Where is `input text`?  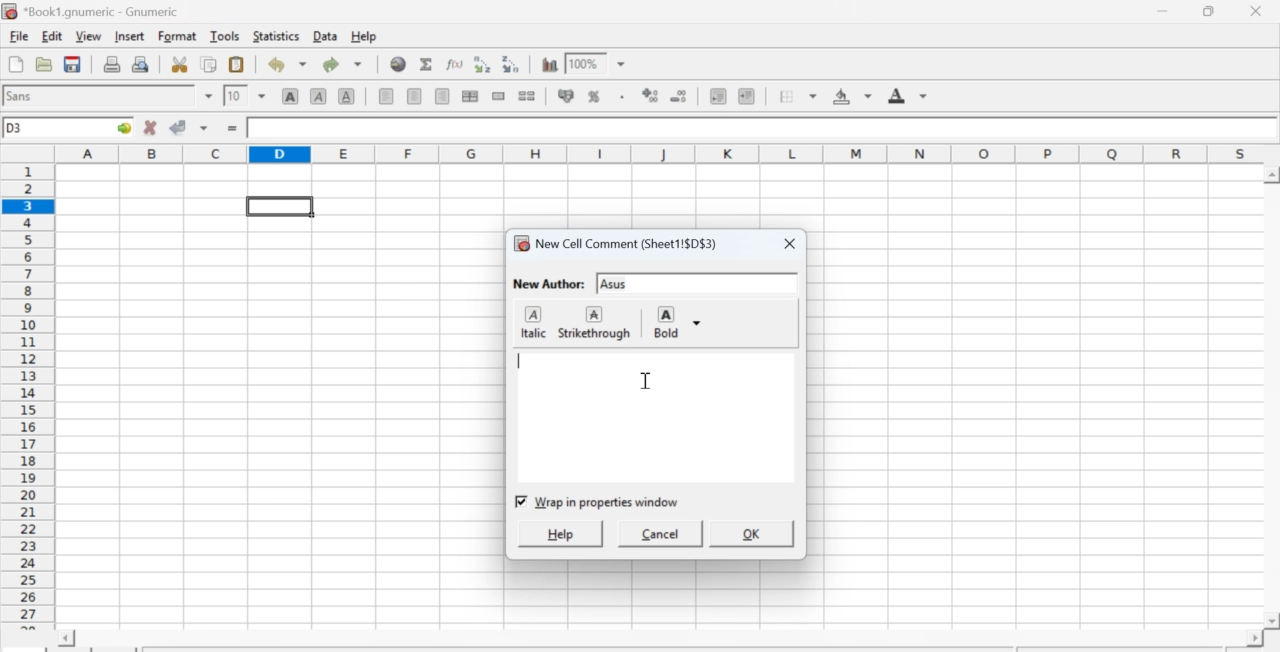
input text is located at coordinates (698, 285).